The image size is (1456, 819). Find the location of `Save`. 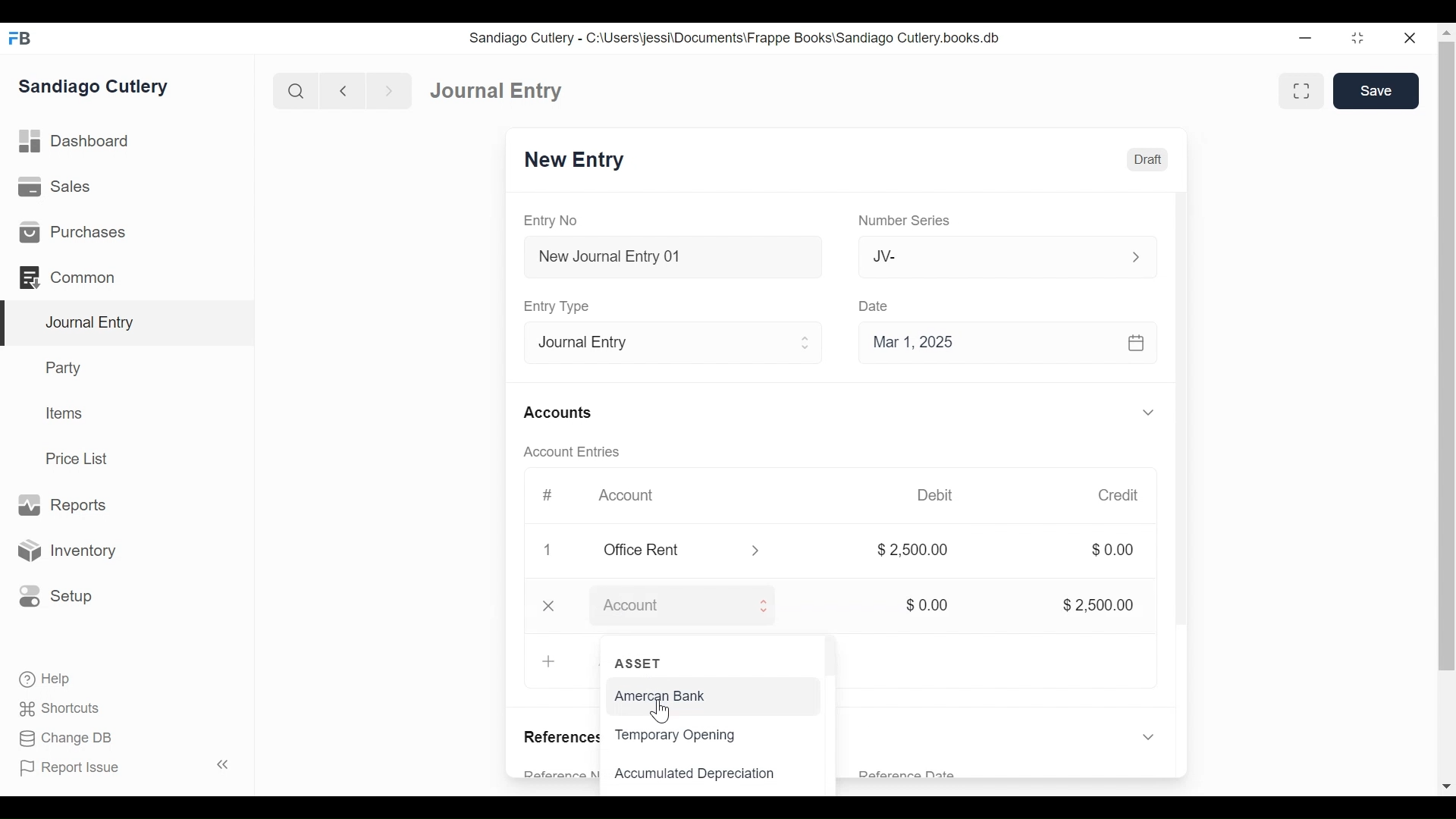

Save is located at coordinates (1372, 90).